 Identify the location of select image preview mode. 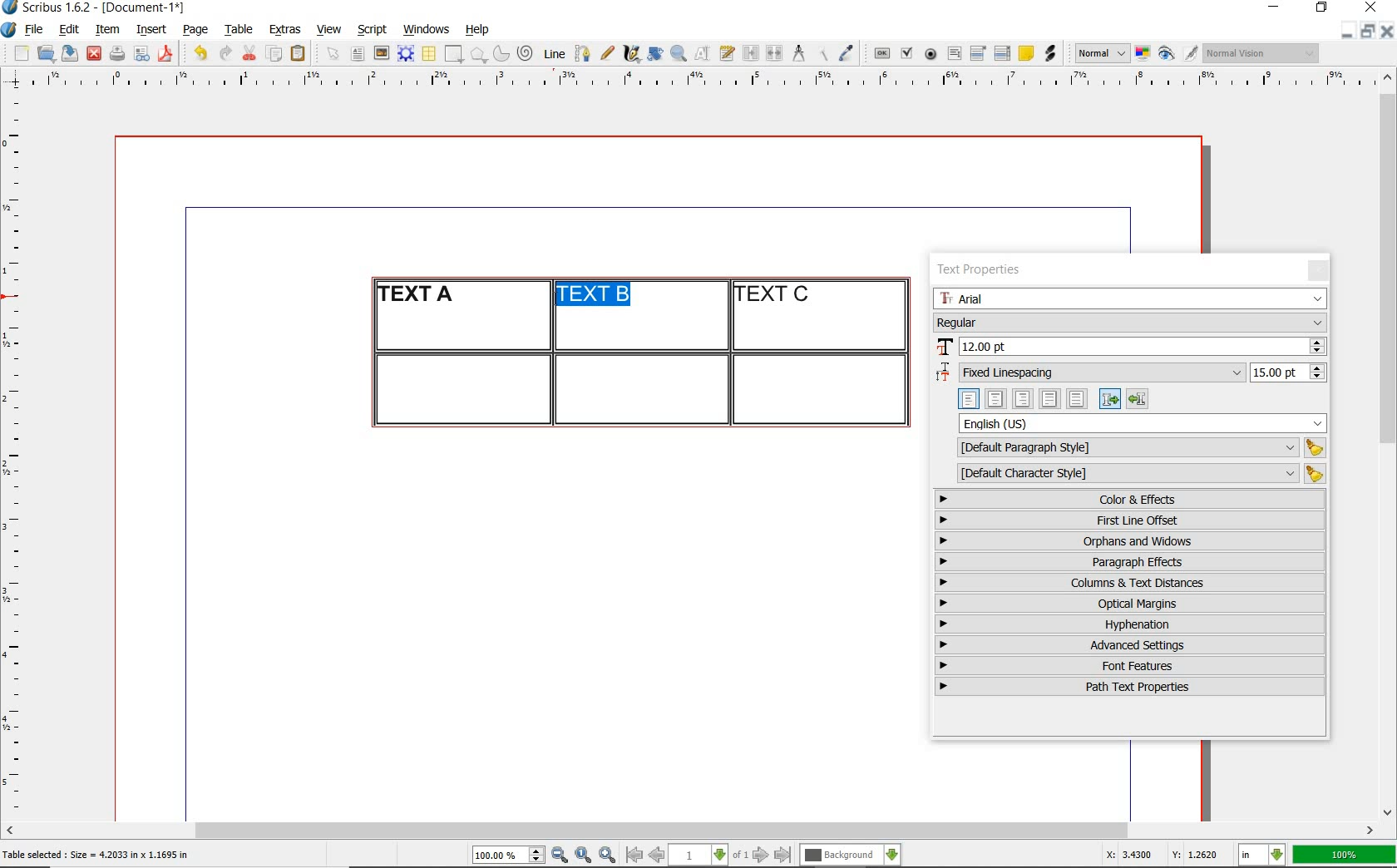
(1101, 54).